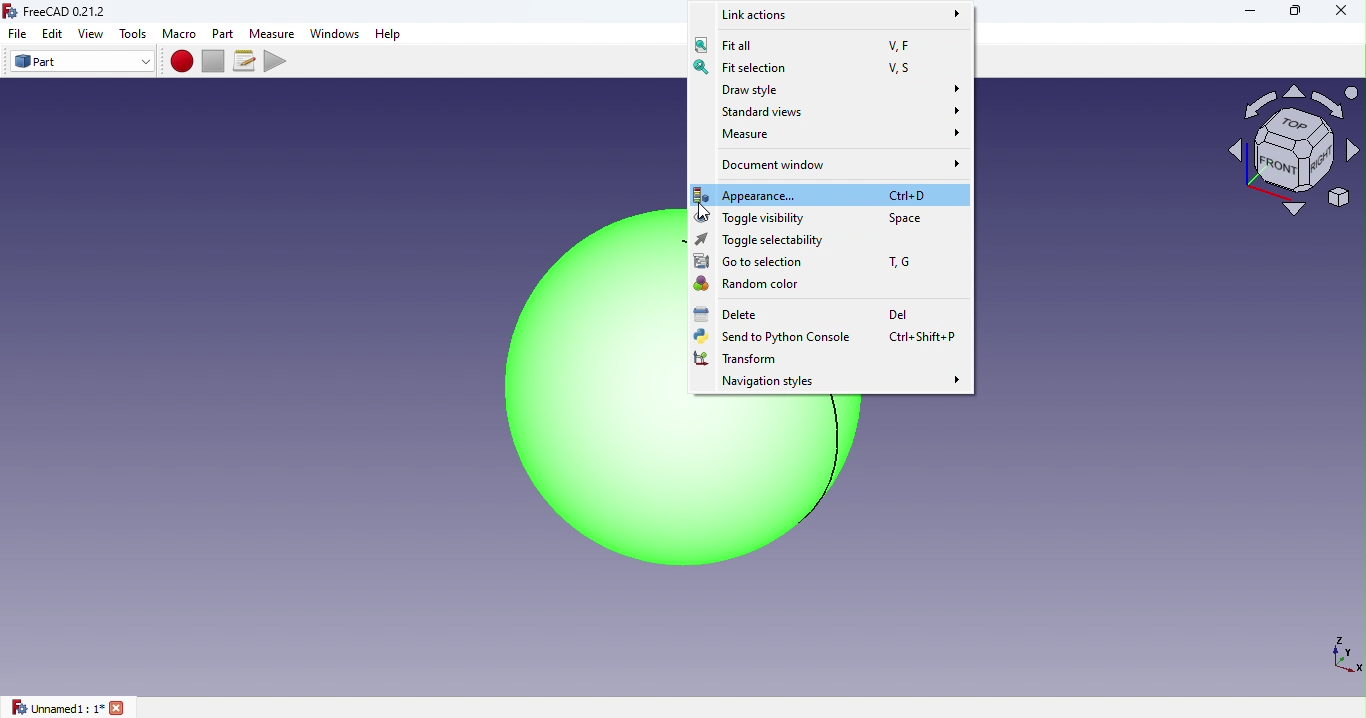  Describe the element at coordinates (179, 34) in the screenshot. I see `Macro` at that location.